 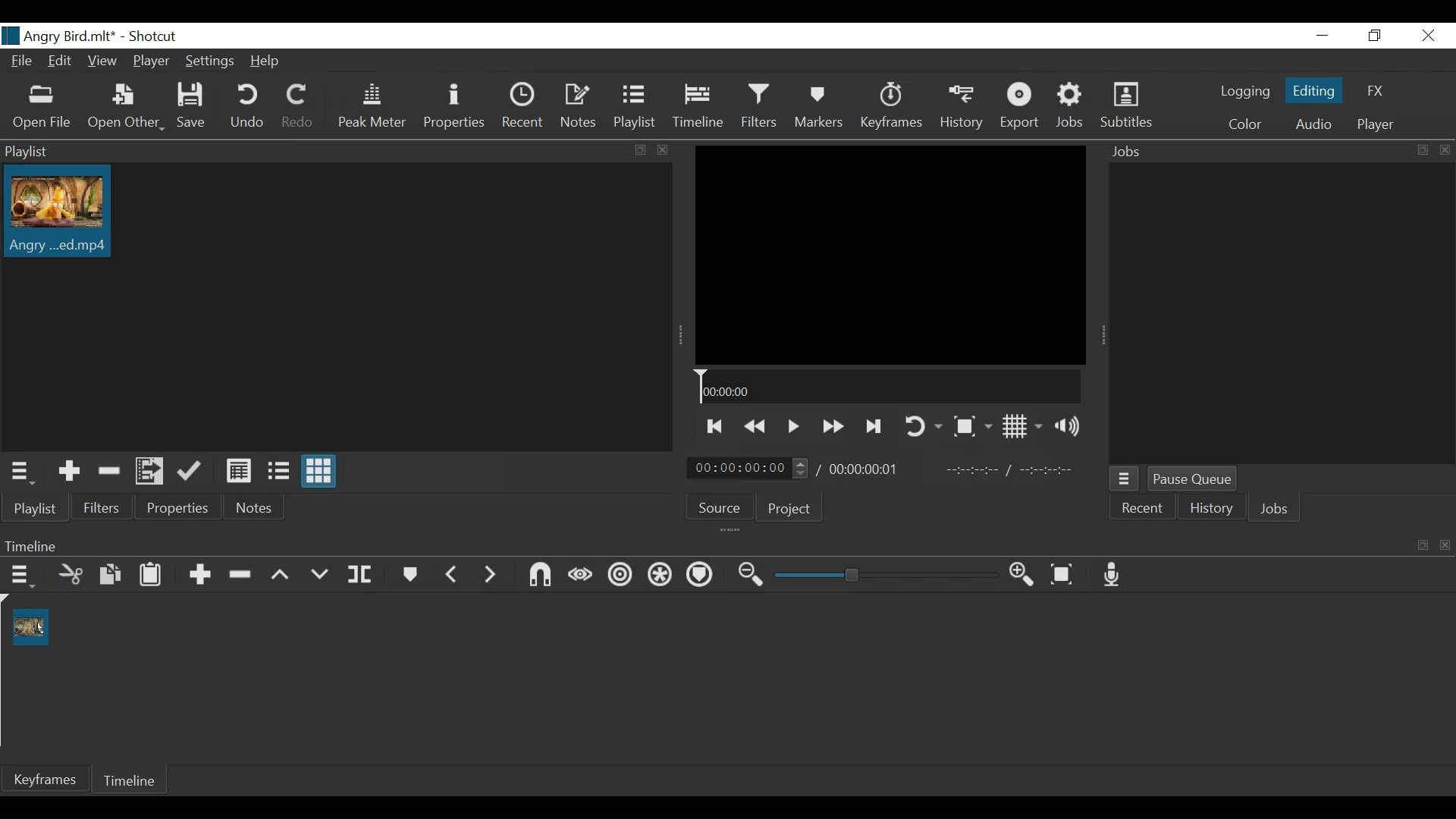 I want to click on Playlist, so click(x=35, y=507).